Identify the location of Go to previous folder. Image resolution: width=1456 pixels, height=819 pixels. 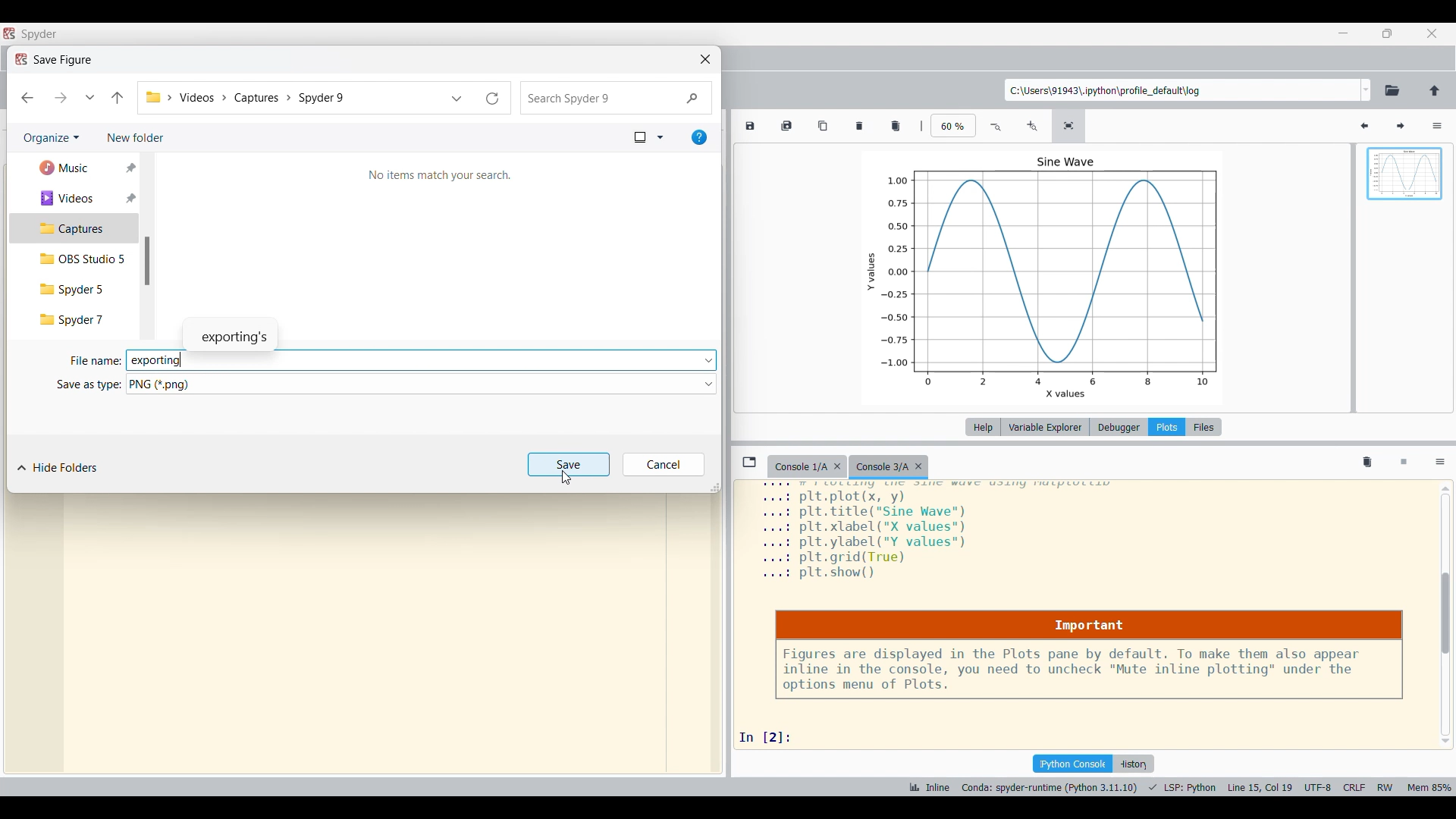
(117, 99).